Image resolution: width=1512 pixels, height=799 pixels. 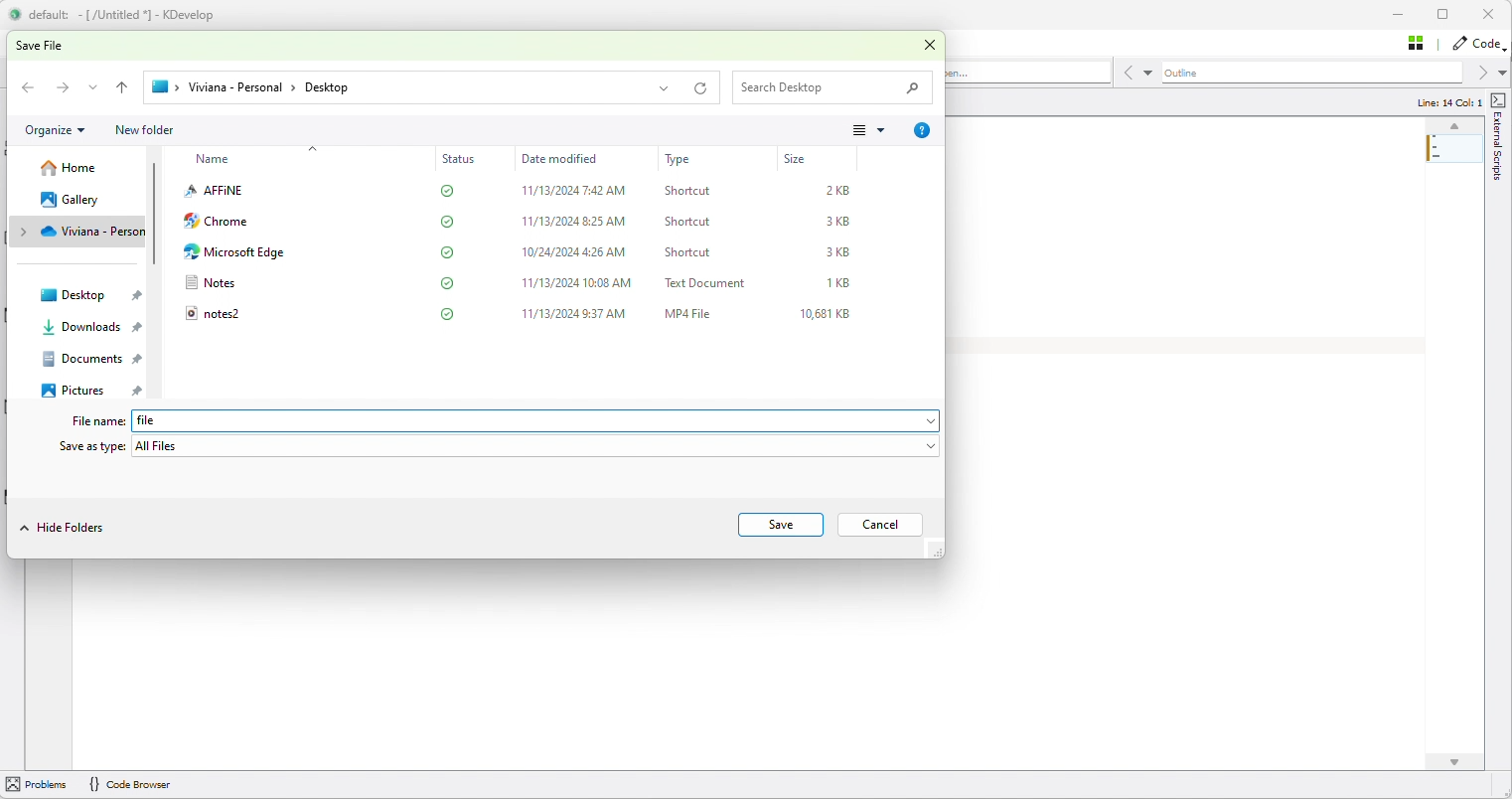 I want to click on File name:, so click(x=88, y=421).